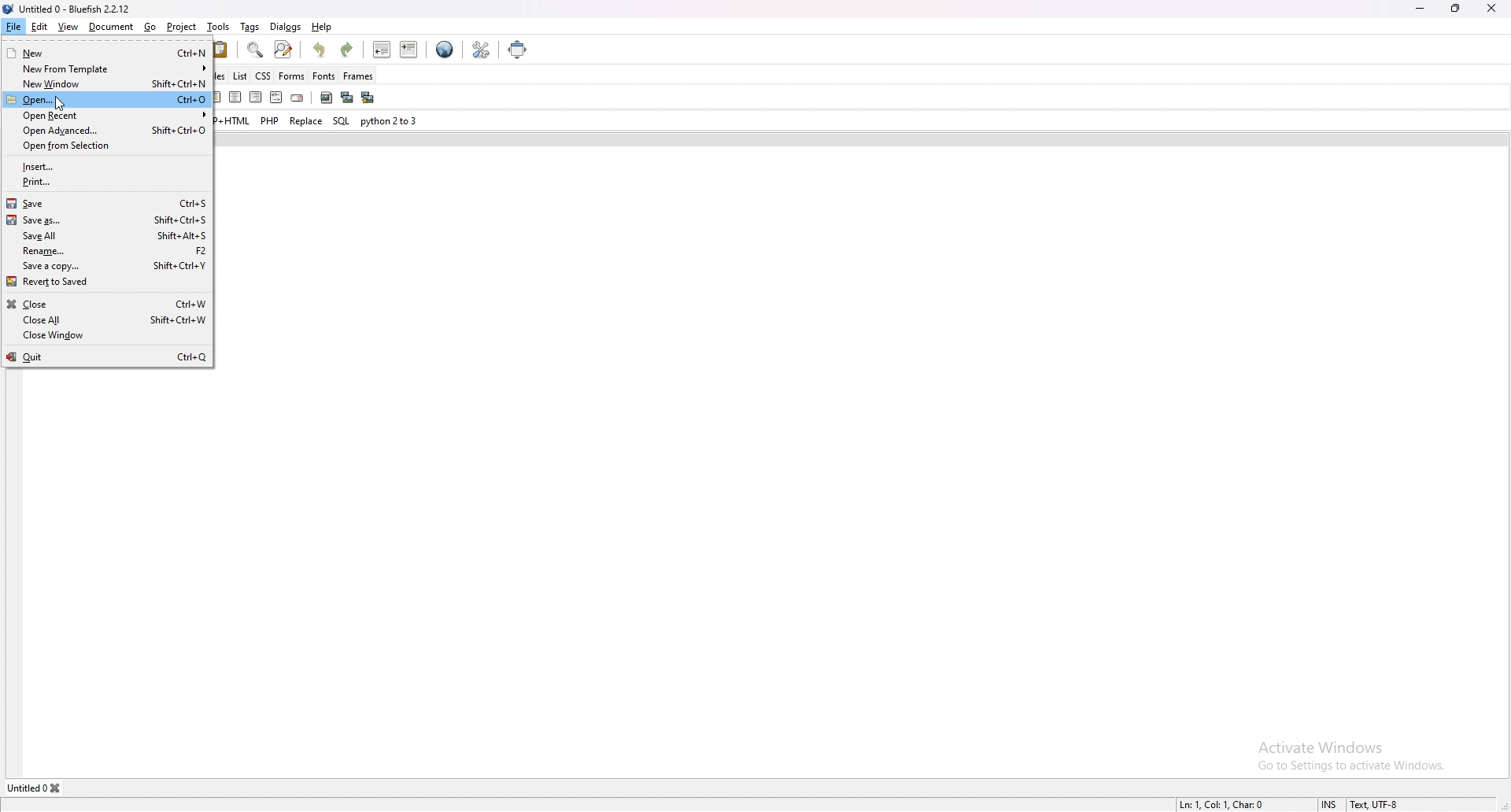 The image size is (1511, 812). I want to click on open from selection, so click(69, 146).